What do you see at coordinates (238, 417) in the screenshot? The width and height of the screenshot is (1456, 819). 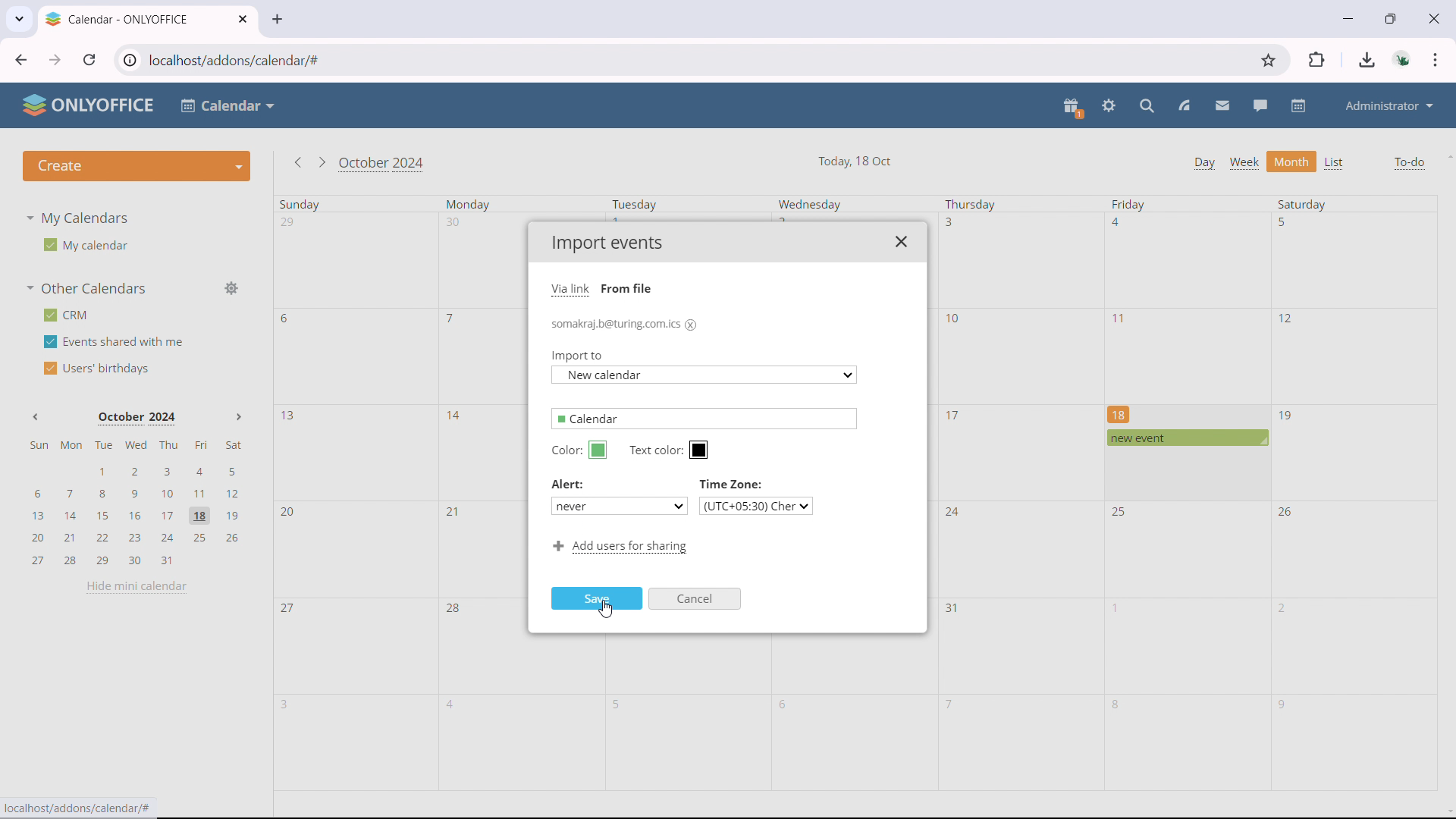 I see `Next month` at bounding box center [238, 417].